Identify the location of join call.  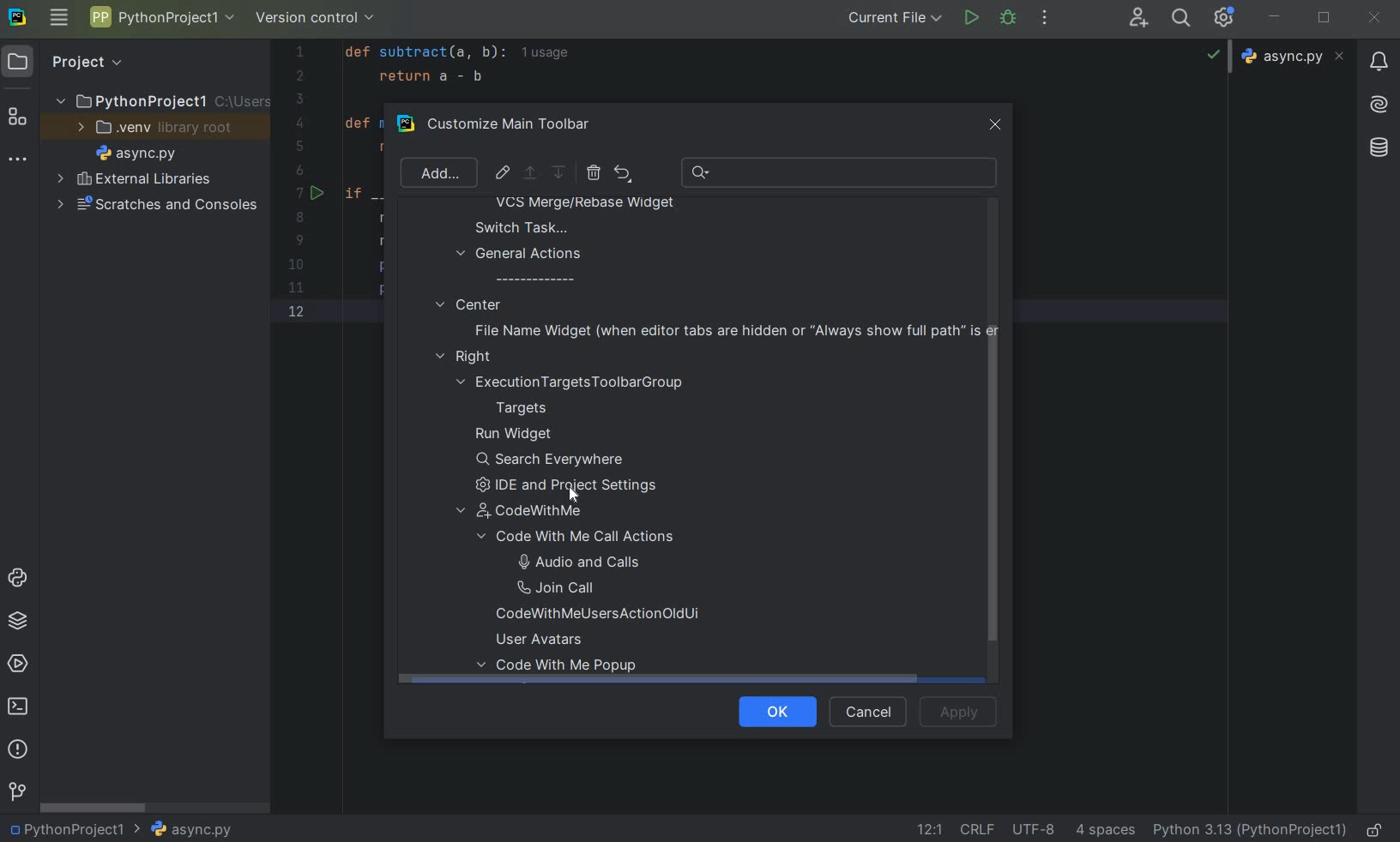
(576, 588).